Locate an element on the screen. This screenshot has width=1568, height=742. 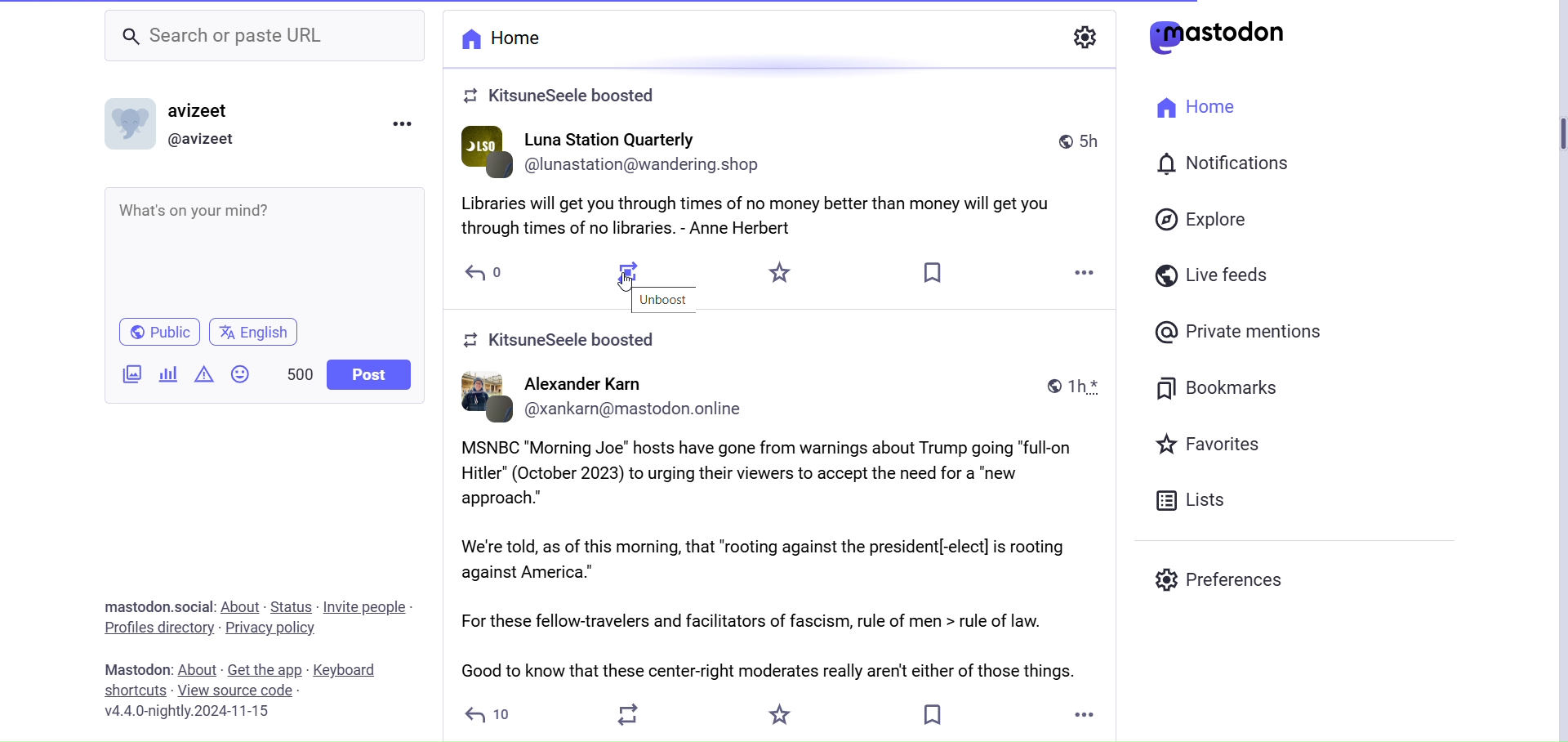
Shortcuts is located at coordinates (136, 691).